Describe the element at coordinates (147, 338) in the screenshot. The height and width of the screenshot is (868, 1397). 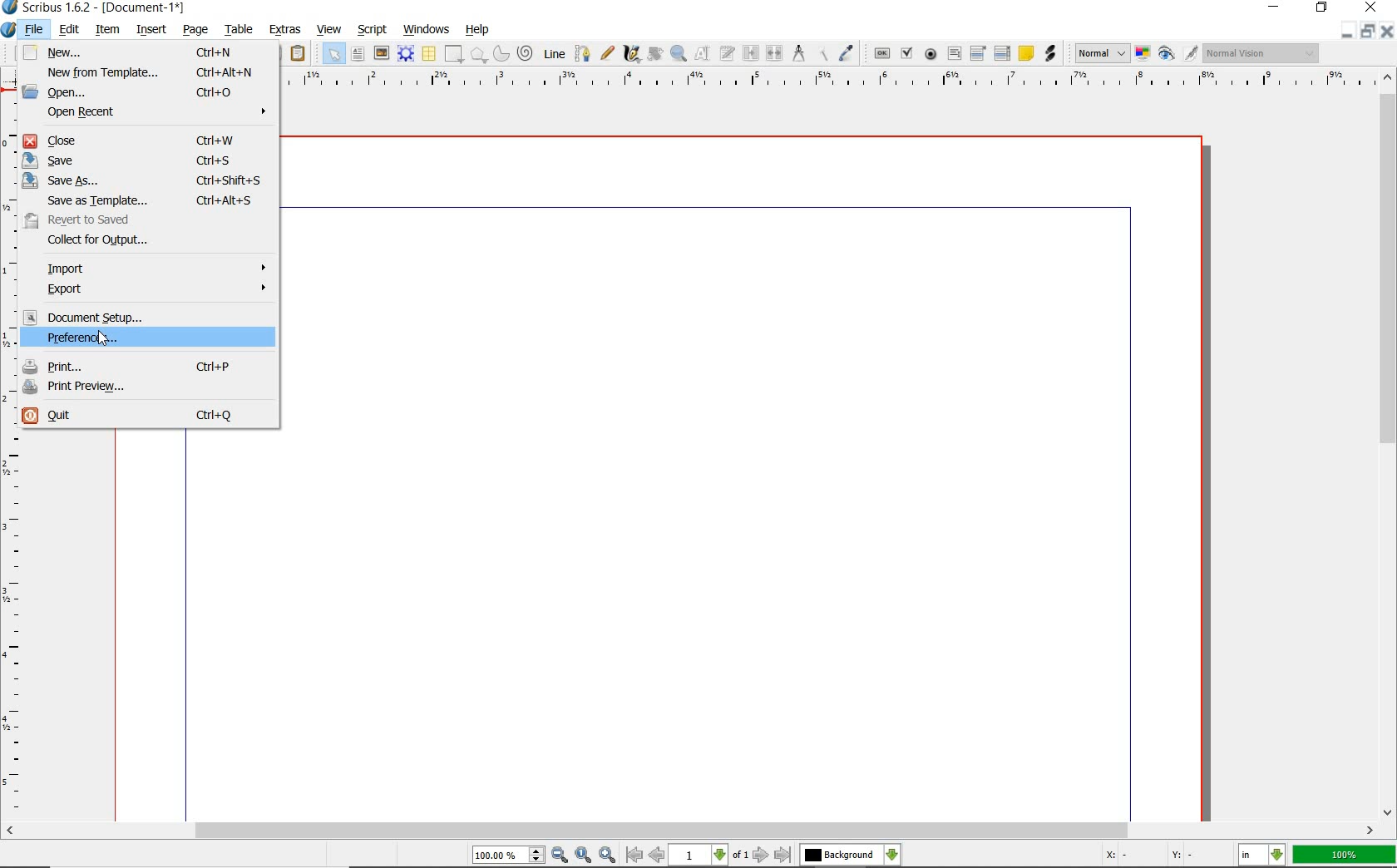
I see `PREFERENCES` at that location.